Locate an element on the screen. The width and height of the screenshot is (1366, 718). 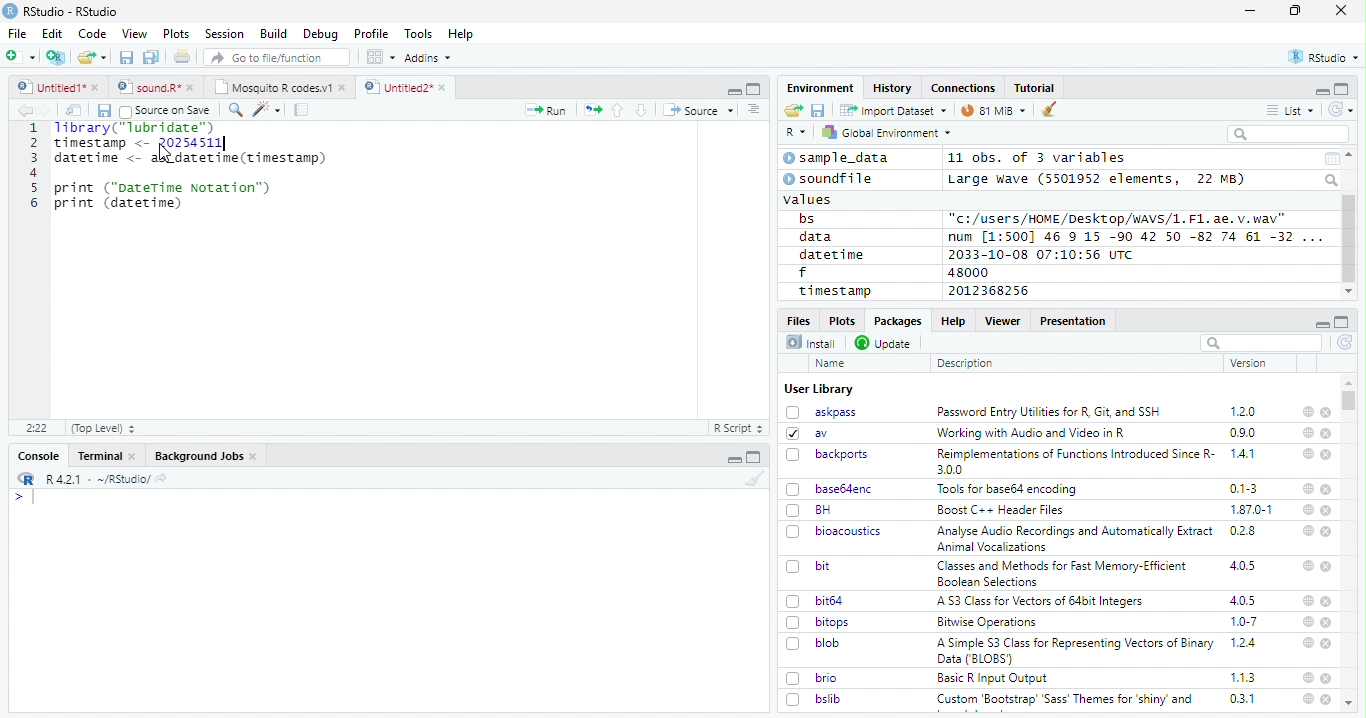
Help is located at coordinates (952, 320).